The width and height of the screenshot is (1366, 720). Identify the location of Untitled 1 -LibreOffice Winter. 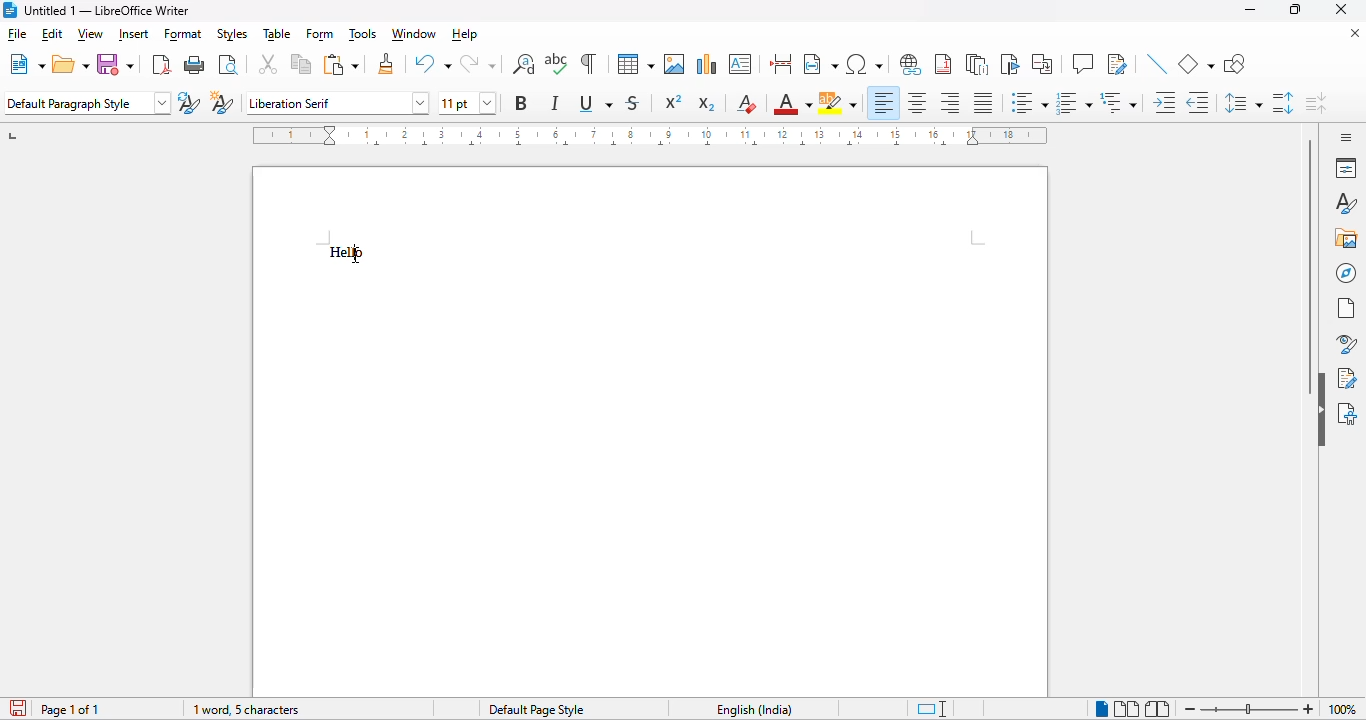
(110, 10).